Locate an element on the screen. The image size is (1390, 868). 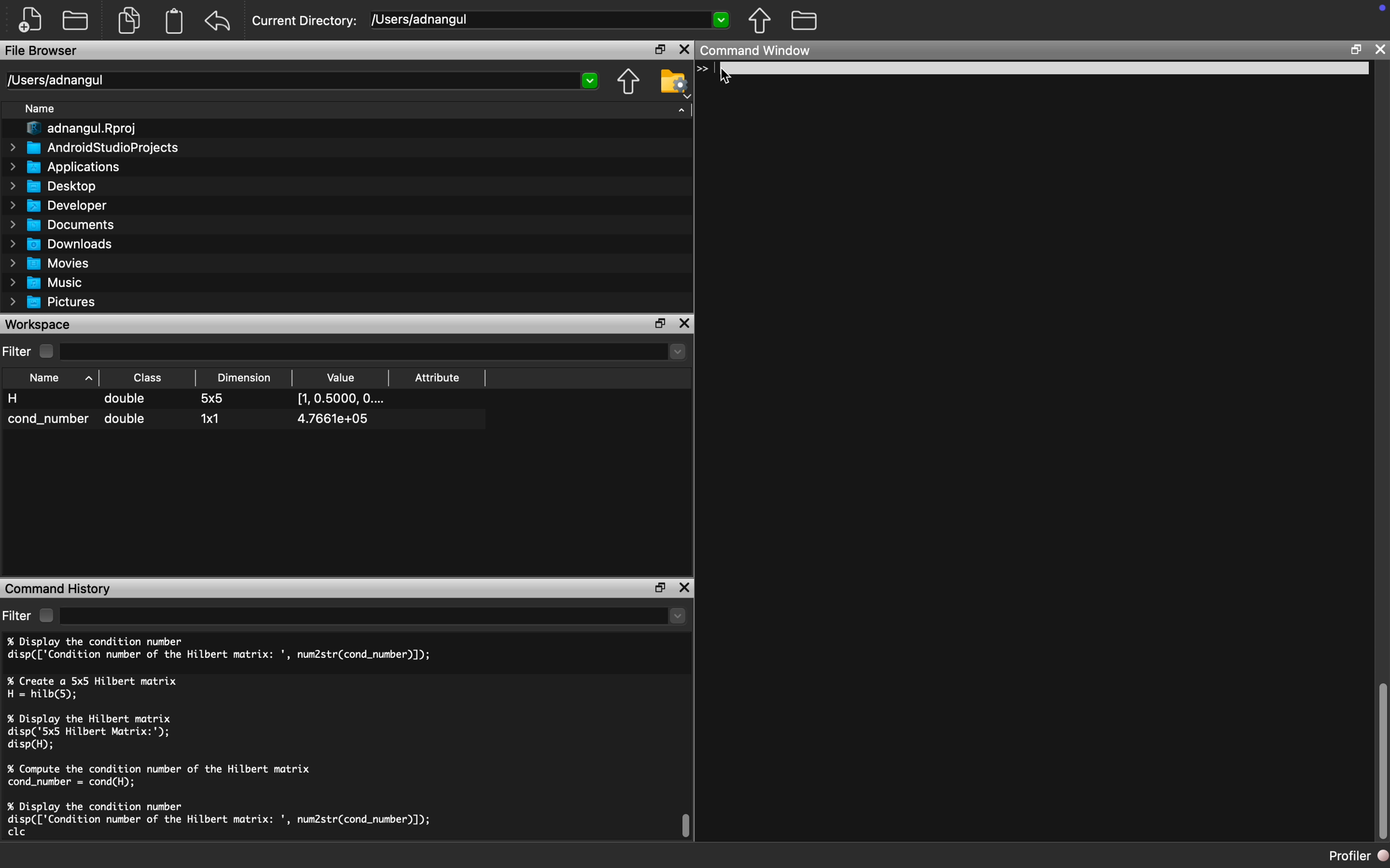
% Compute the condition number of the Hilbert matrix
cond_number = cond(H); is located at coordinates (161, 775).